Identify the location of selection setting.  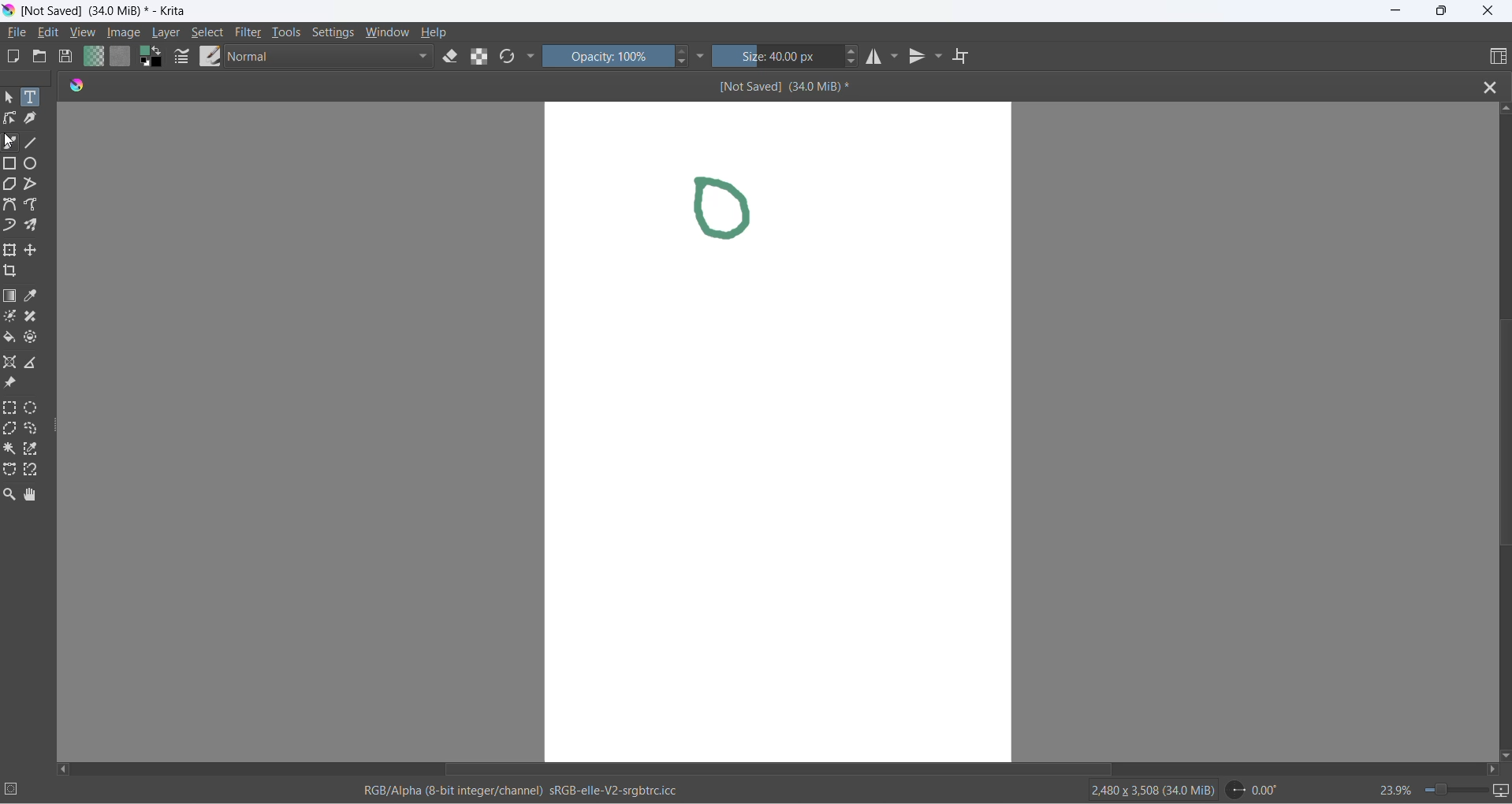
(12, 790).